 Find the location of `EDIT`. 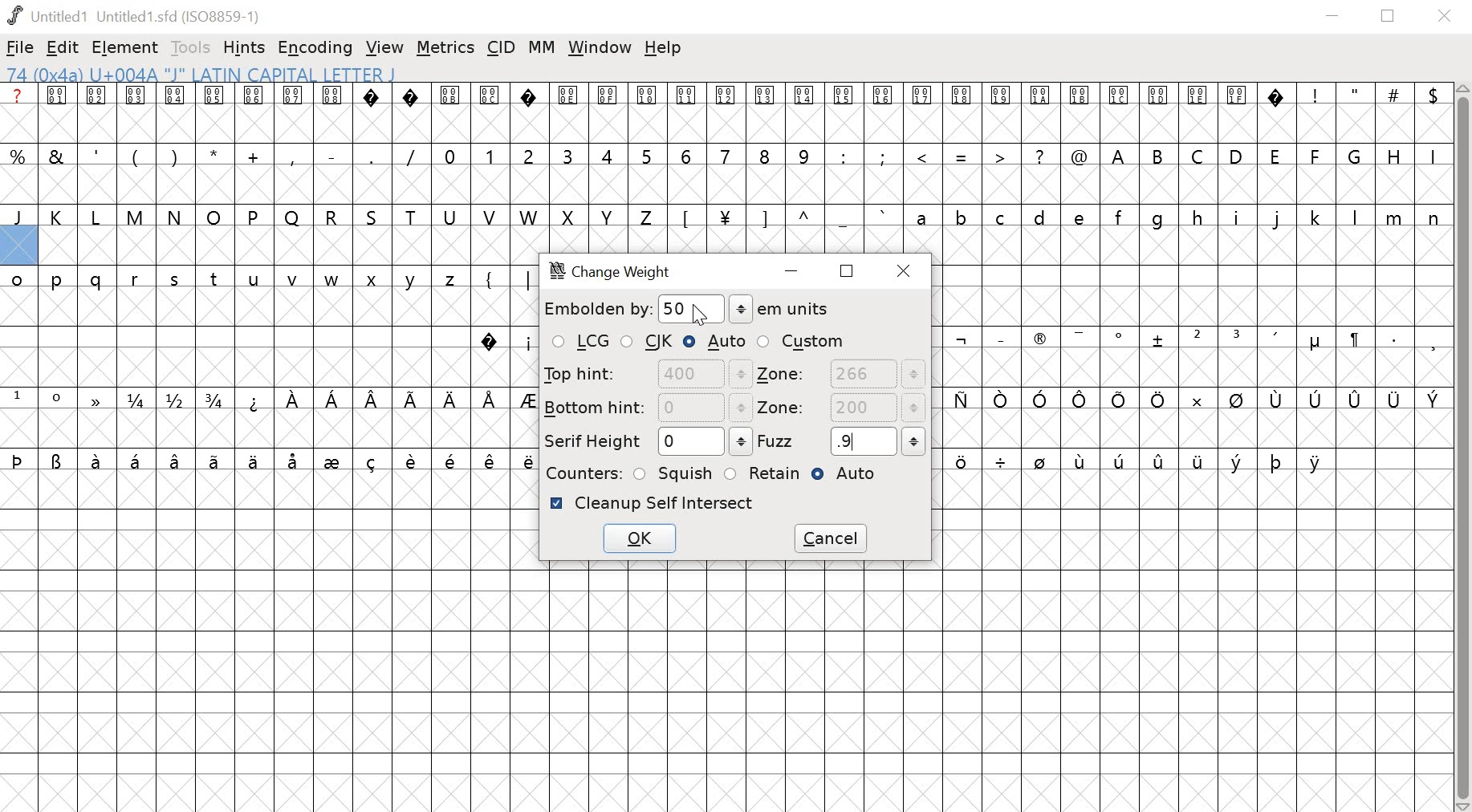

EDIT is located at coordinates (63, 49).